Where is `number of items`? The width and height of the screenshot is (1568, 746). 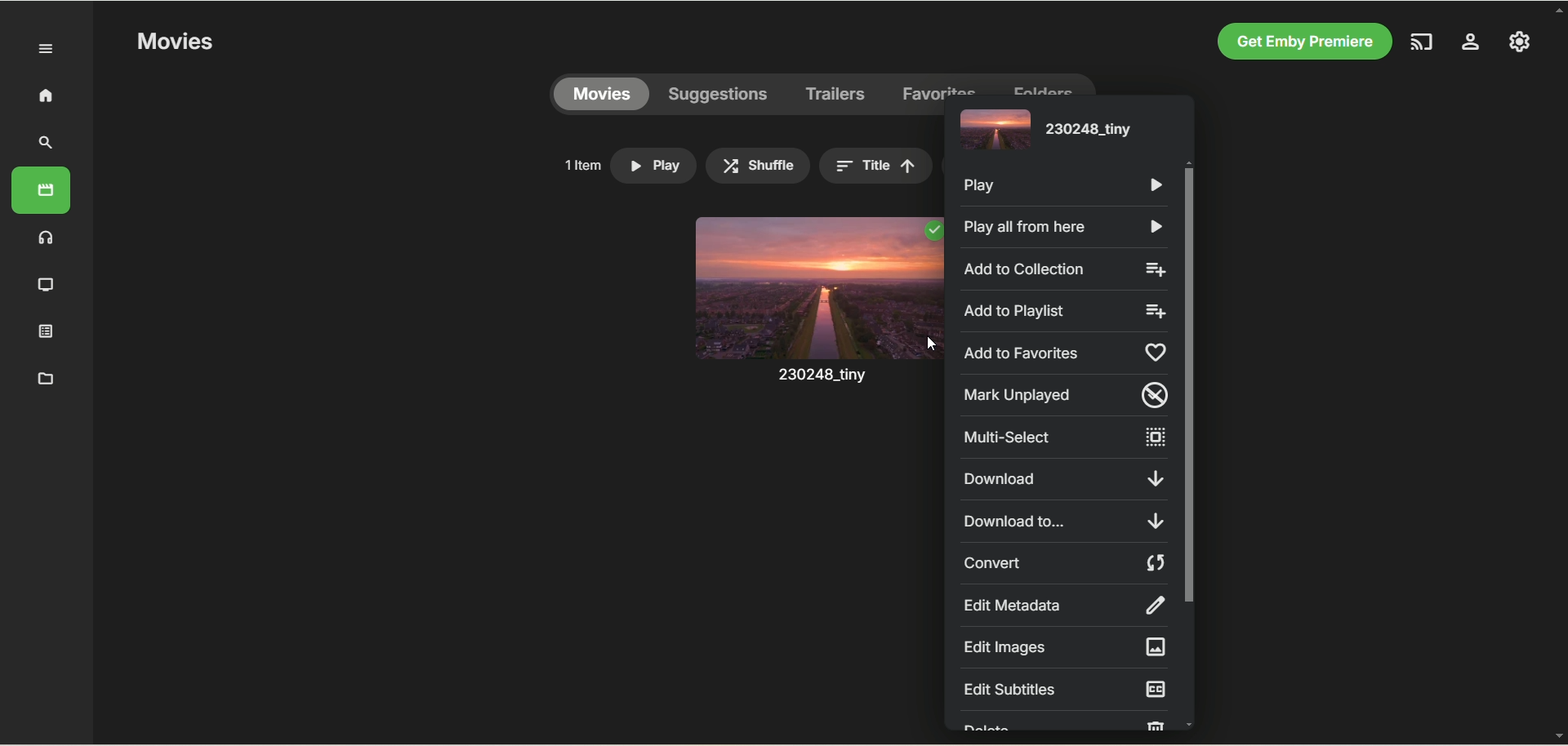
number of items is located at coordinates (581, 165).